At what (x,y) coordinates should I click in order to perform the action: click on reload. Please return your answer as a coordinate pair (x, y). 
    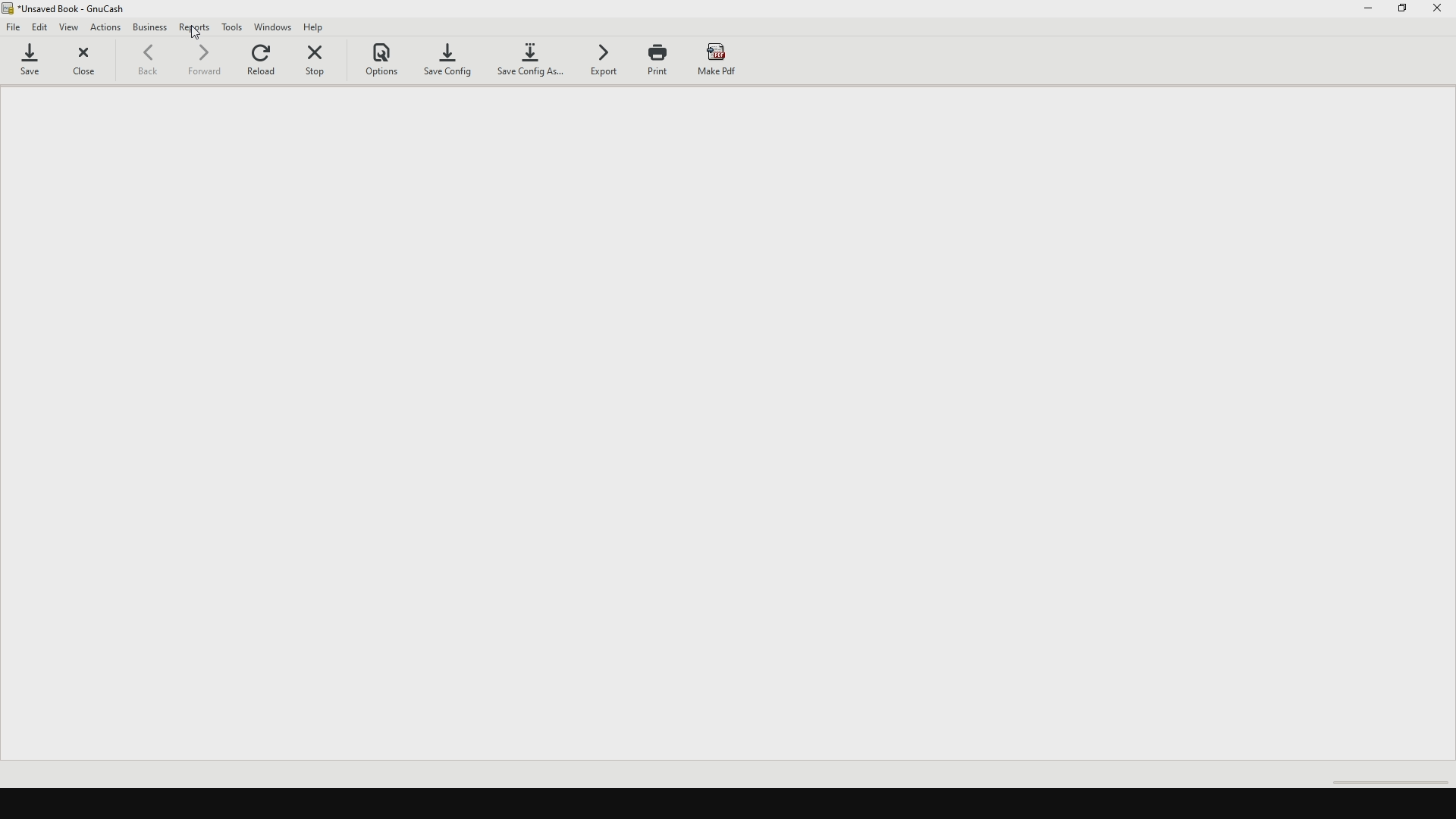
    Looking at the image, I should click on (264, 62).